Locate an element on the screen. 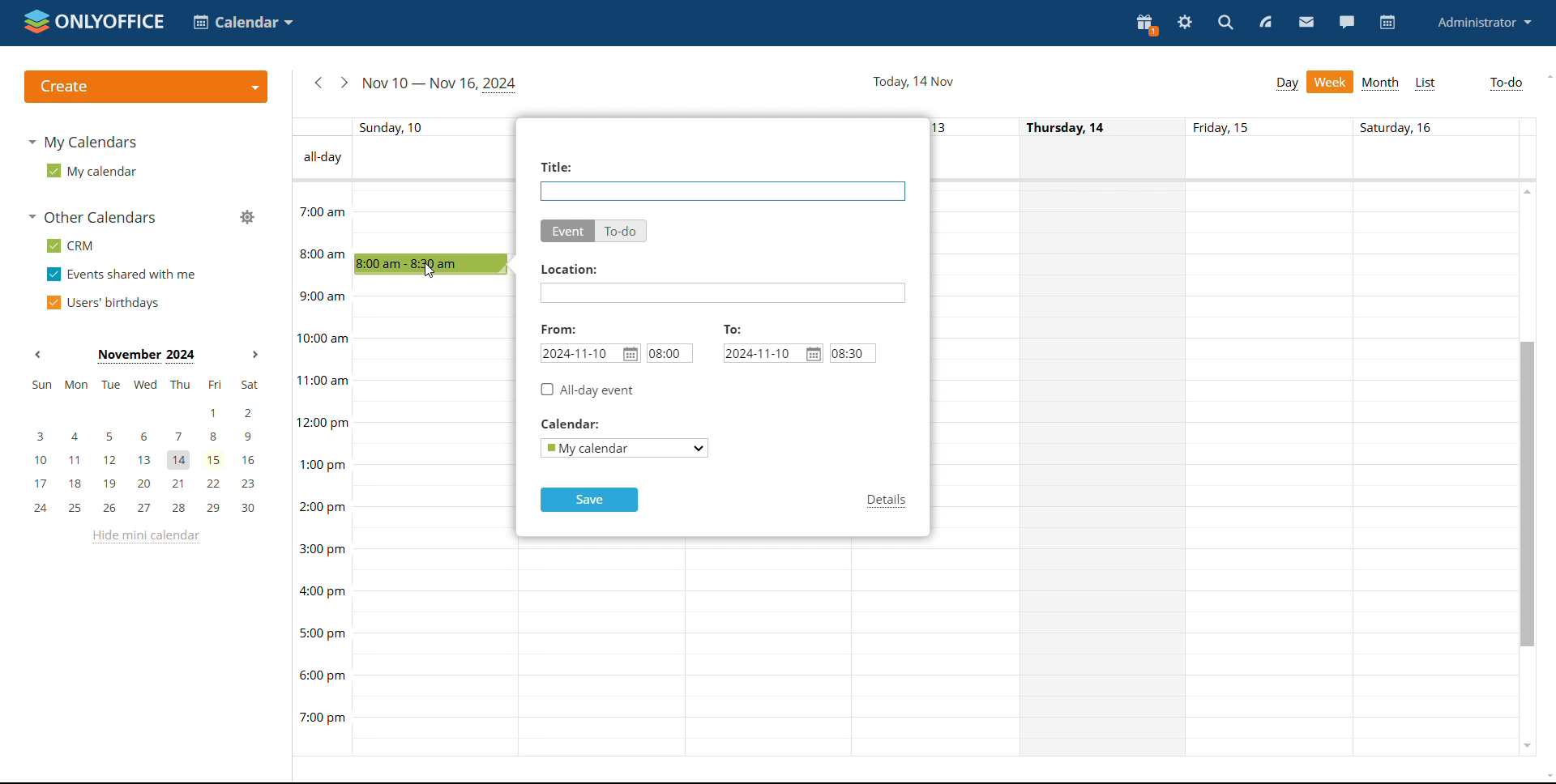 Image resolution: width=1556 pixels, height=784 pixels. manage is located at coordinates (246, 217).